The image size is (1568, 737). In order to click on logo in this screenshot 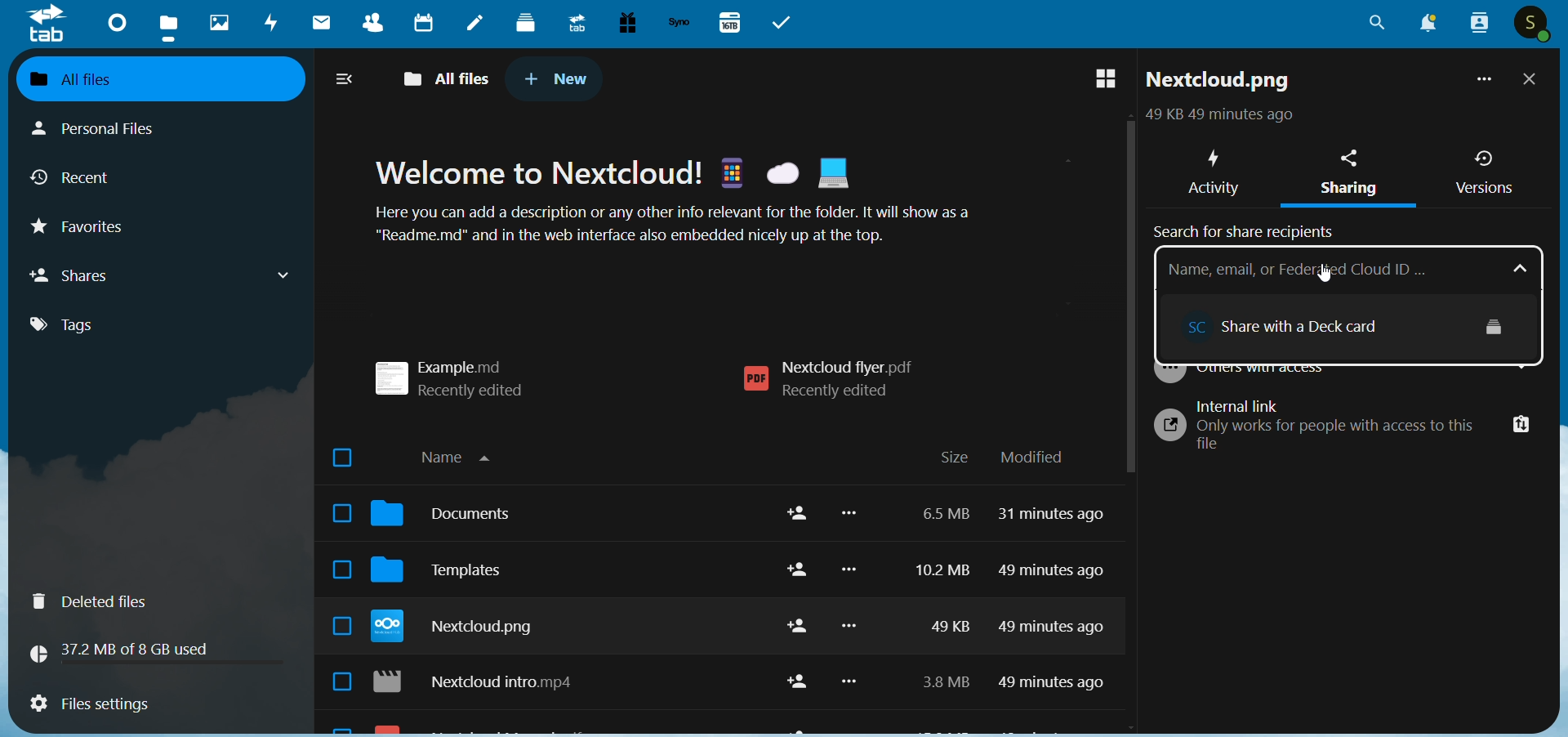, I will do `click(47, 25)`.